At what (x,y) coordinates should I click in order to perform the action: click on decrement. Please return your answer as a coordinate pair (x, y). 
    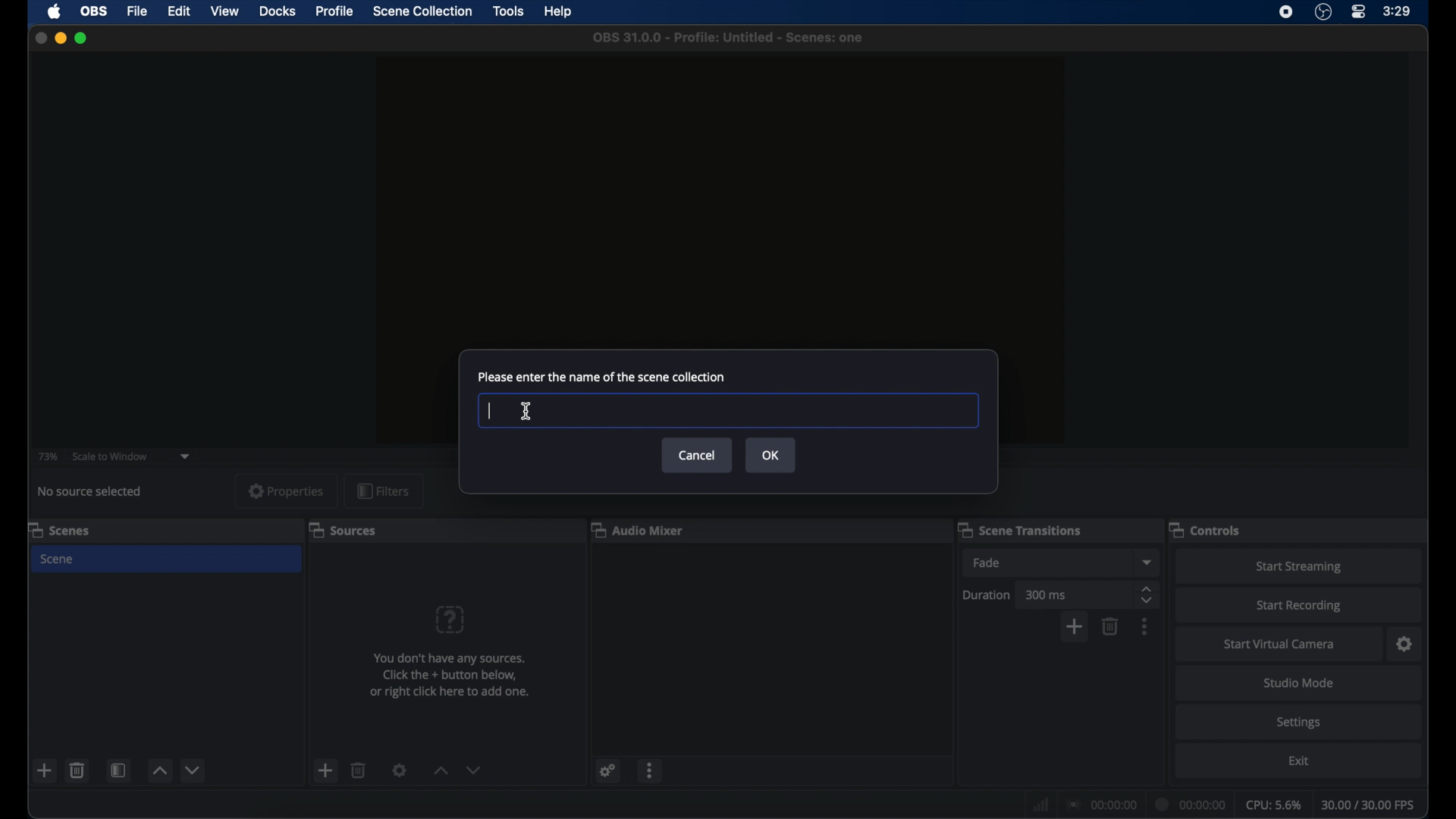
    Looking at the image, I should click on (475, 770).